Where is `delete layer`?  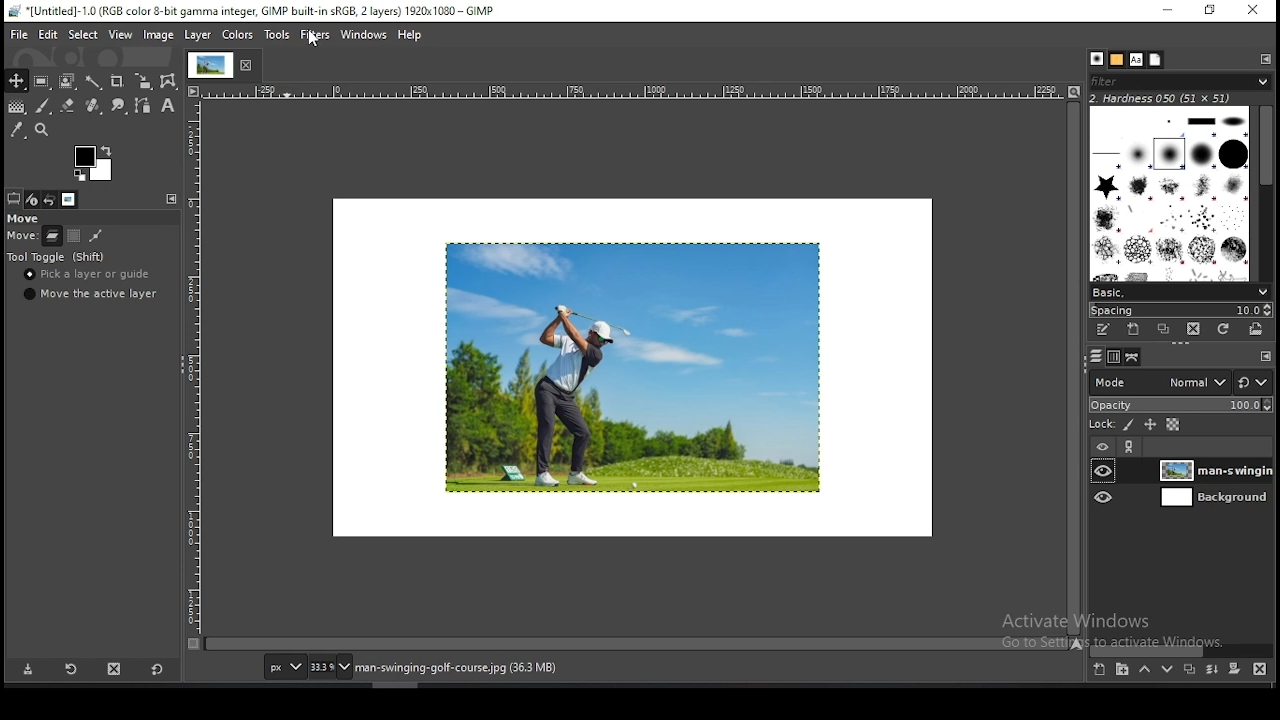
delete layer is located at coordinates (1264, 669).